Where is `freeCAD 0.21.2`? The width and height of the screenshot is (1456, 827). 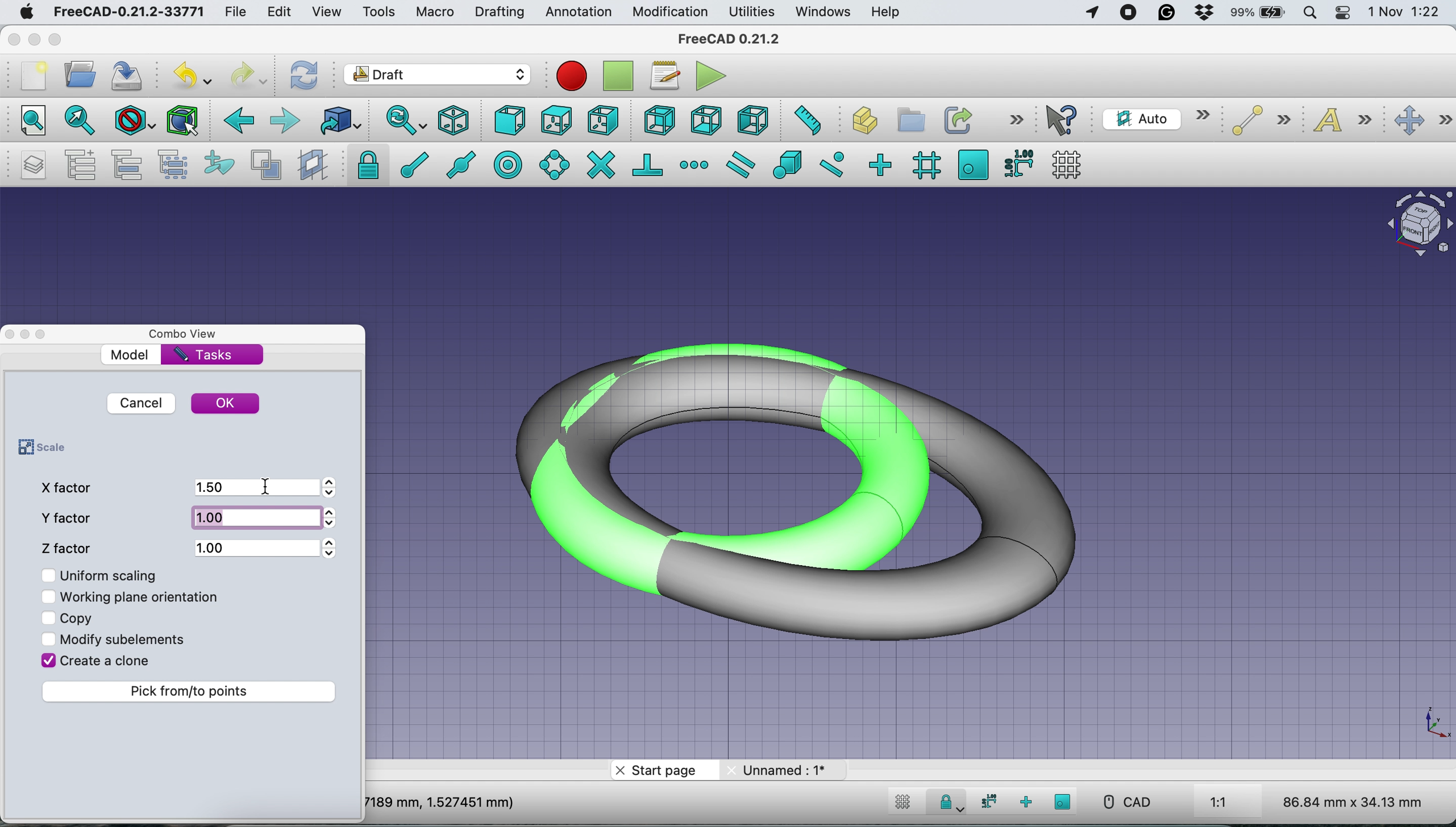 freeCAD 0.21.2 is located at coordinates (729, 40).